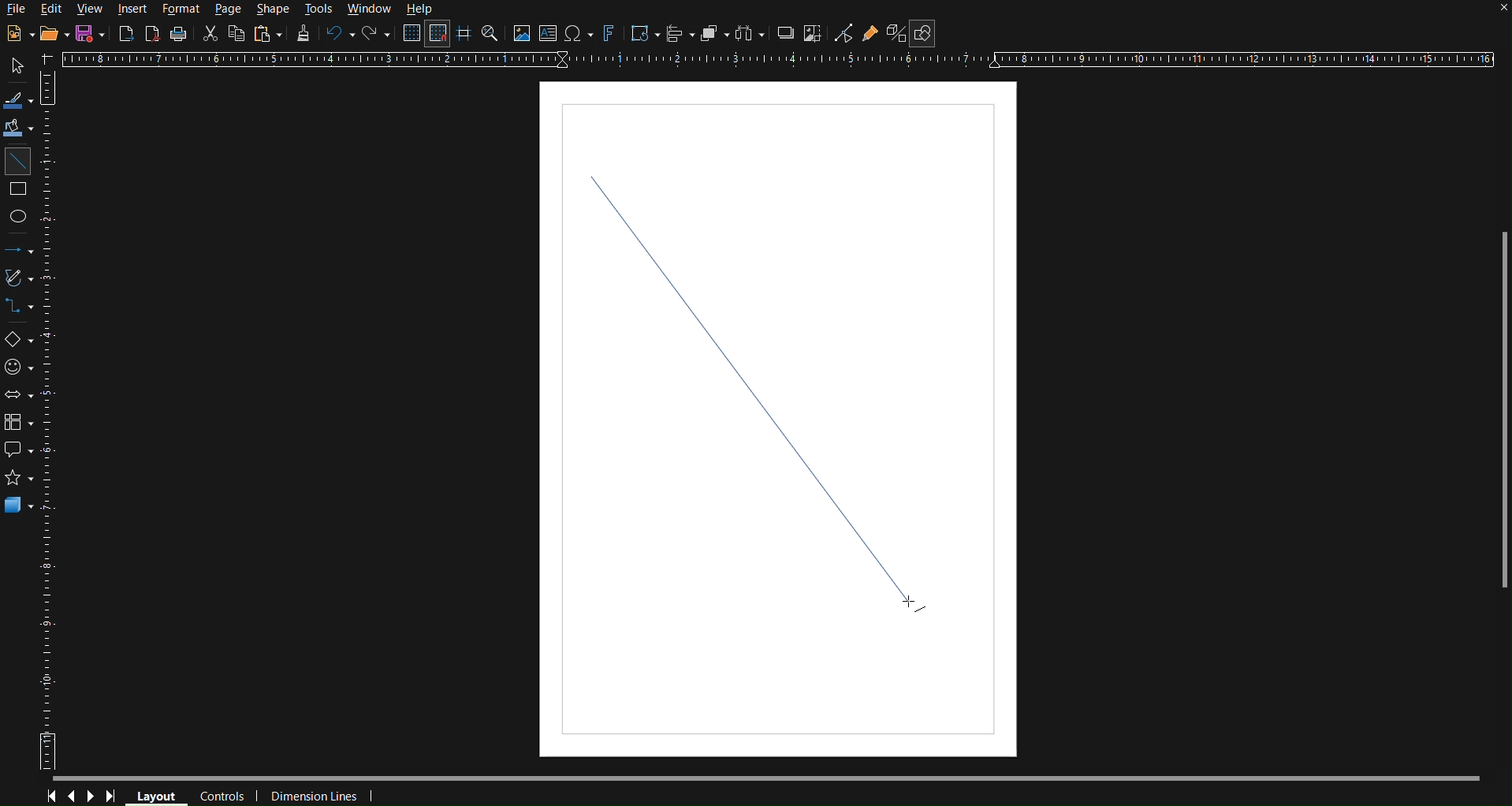  Describe the element at coordinates (70, 795) in the screenshot. I see `Previous` at that location.